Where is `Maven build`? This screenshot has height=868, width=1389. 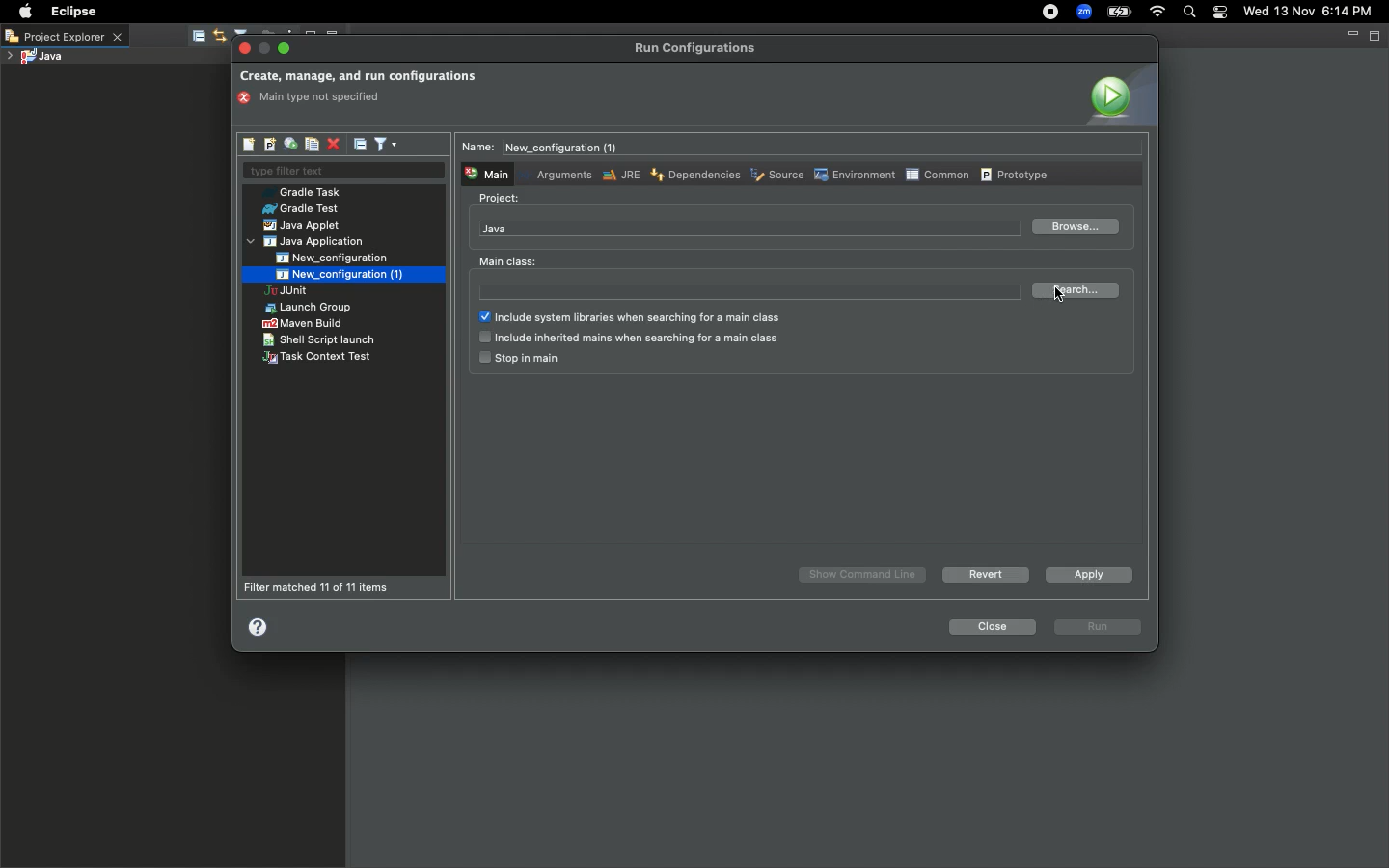
Maven build is located at coordinates (302, 323).